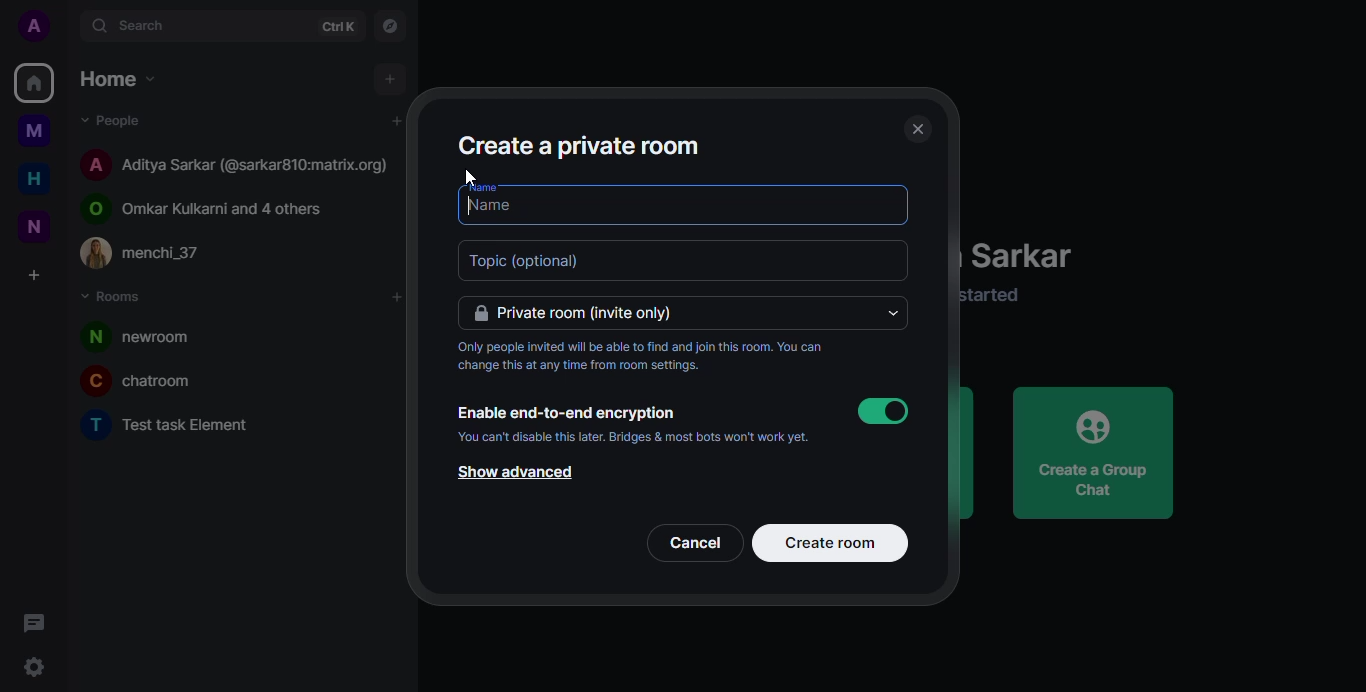 This screenshot has height=692, width=1366. I want to click on public room, so click(215, 205).